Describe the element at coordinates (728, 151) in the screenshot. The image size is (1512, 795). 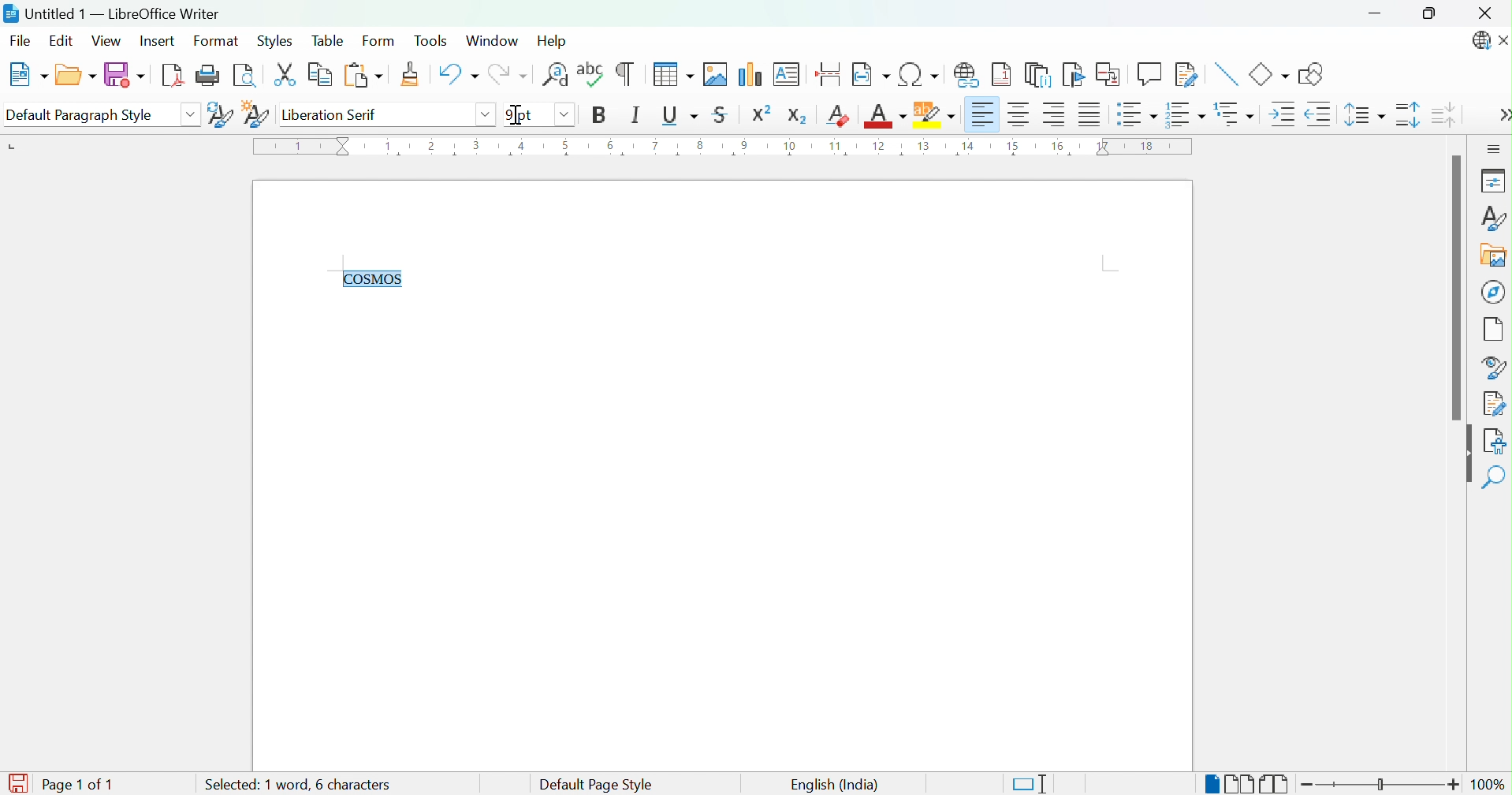
I see `Ruler` at that location.